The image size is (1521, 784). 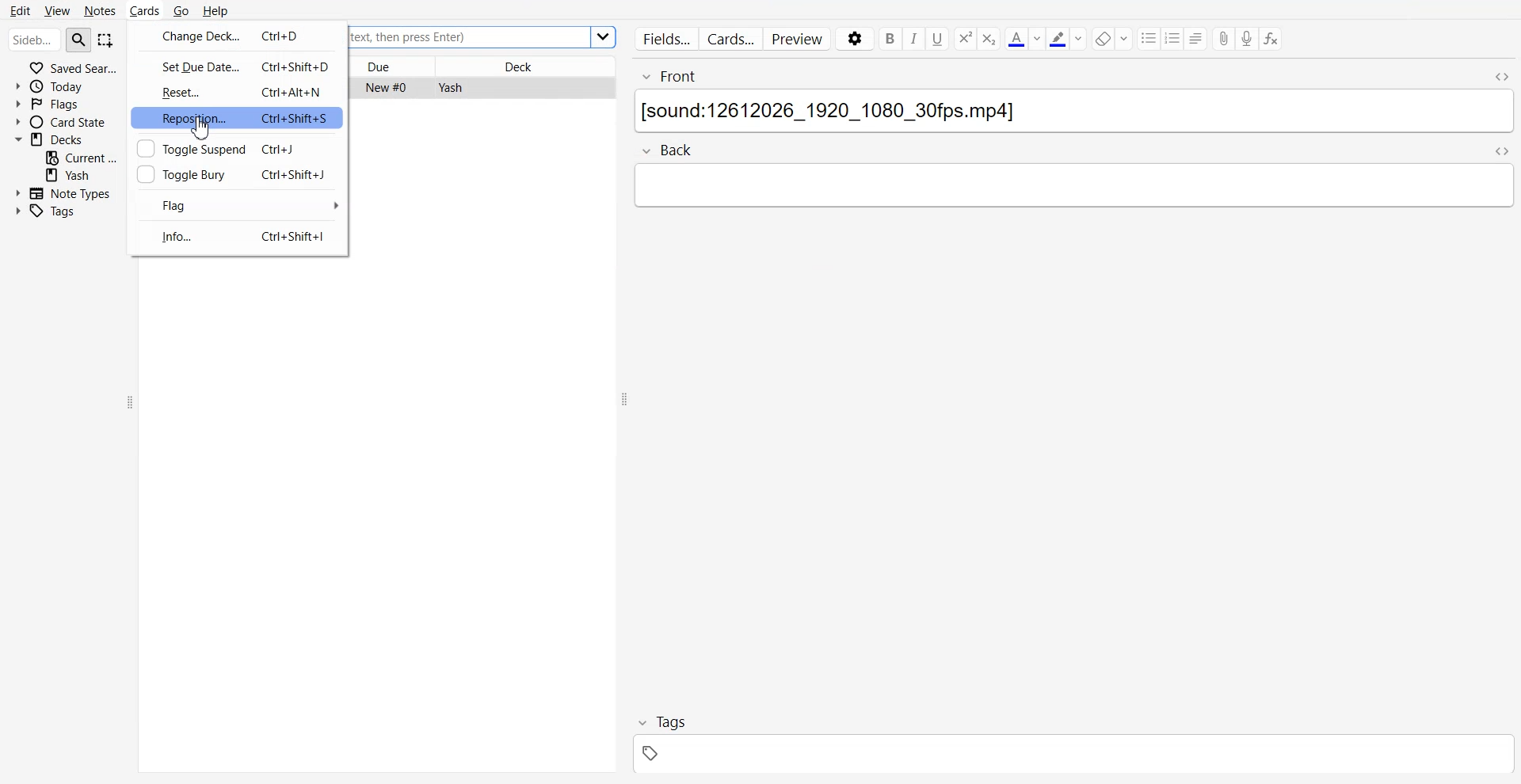 I want to click on Subscript, so click(x=964, y=39).